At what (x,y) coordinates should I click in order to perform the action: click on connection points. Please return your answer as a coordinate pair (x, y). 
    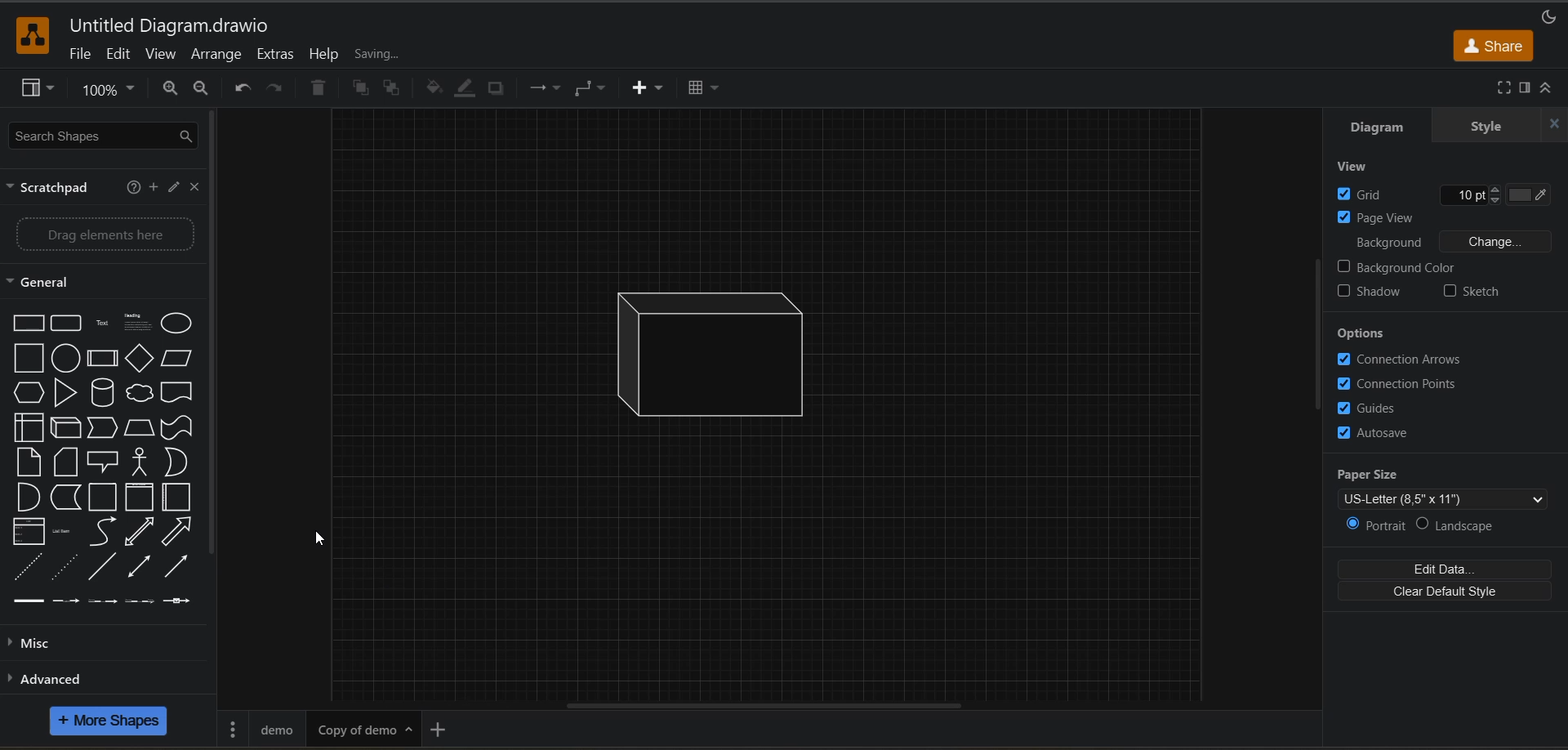
    Looking at the image, I should click on (1401, 384).